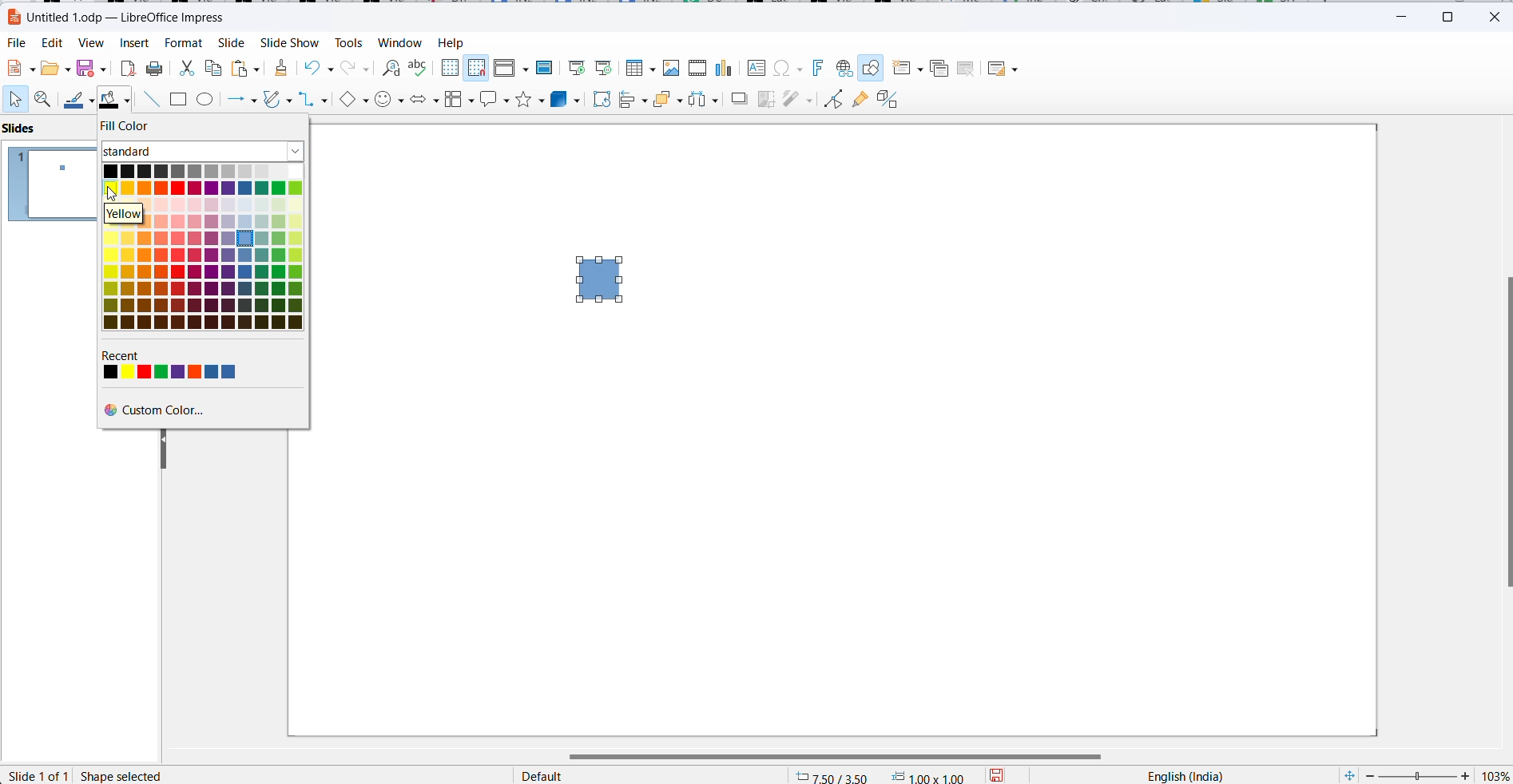 This screenshot has width=1513, height=784. I want to click on Insert hyperlink, so click(842, 69).